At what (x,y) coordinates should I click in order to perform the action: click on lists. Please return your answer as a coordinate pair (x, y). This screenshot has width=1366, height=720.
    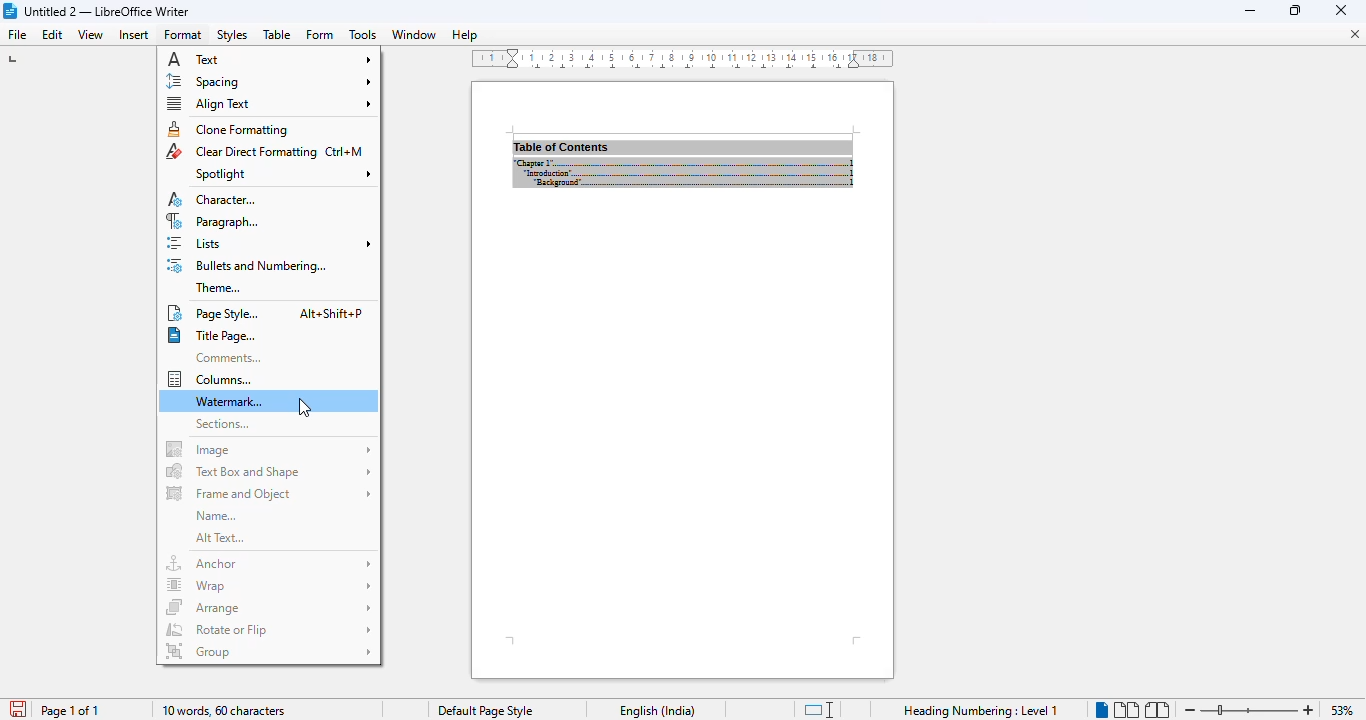
    Looking at the image, I should click on (270, 243).